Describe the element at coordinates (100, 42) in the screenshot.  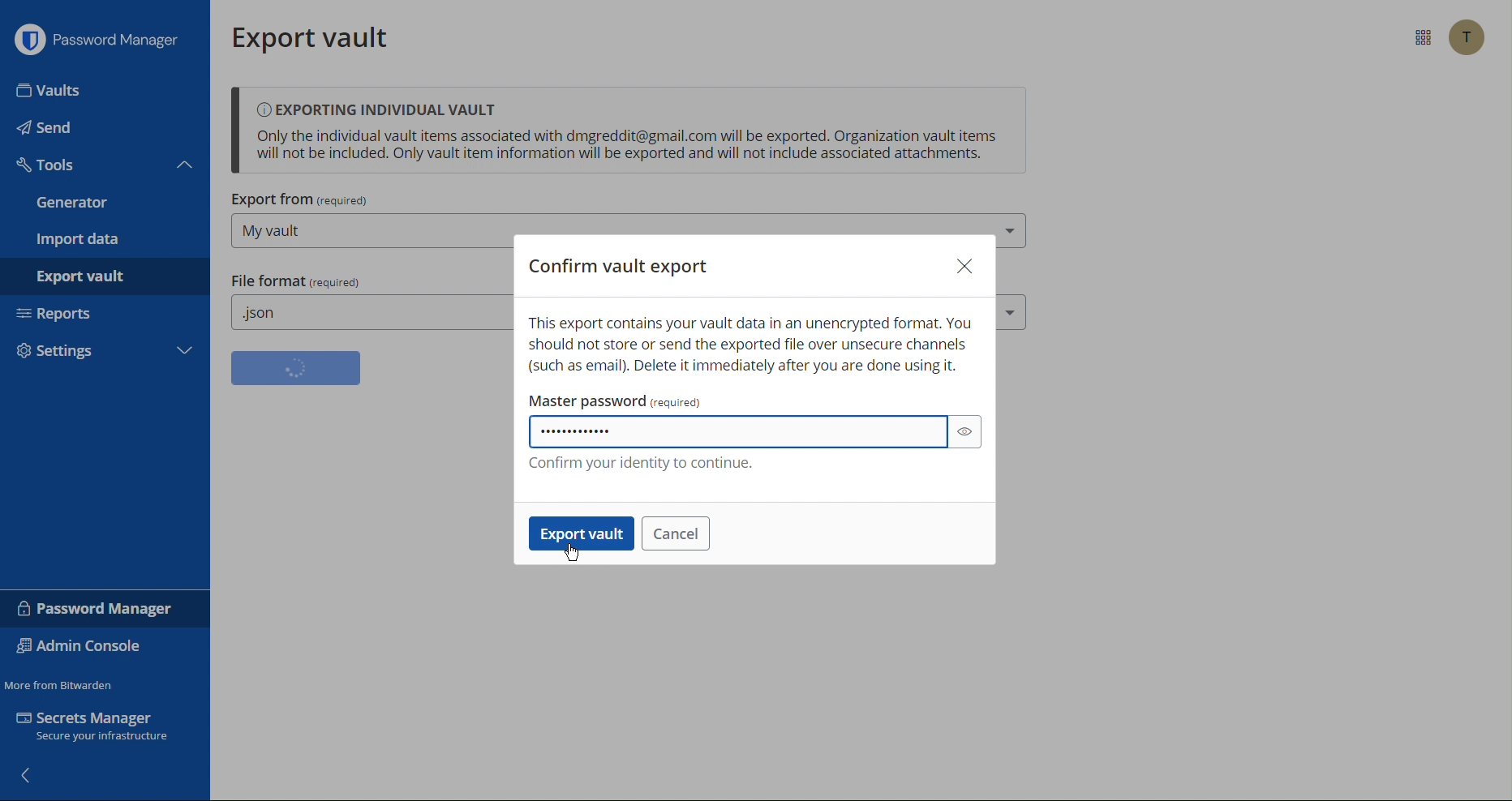
I see `Password Manager` at that location.